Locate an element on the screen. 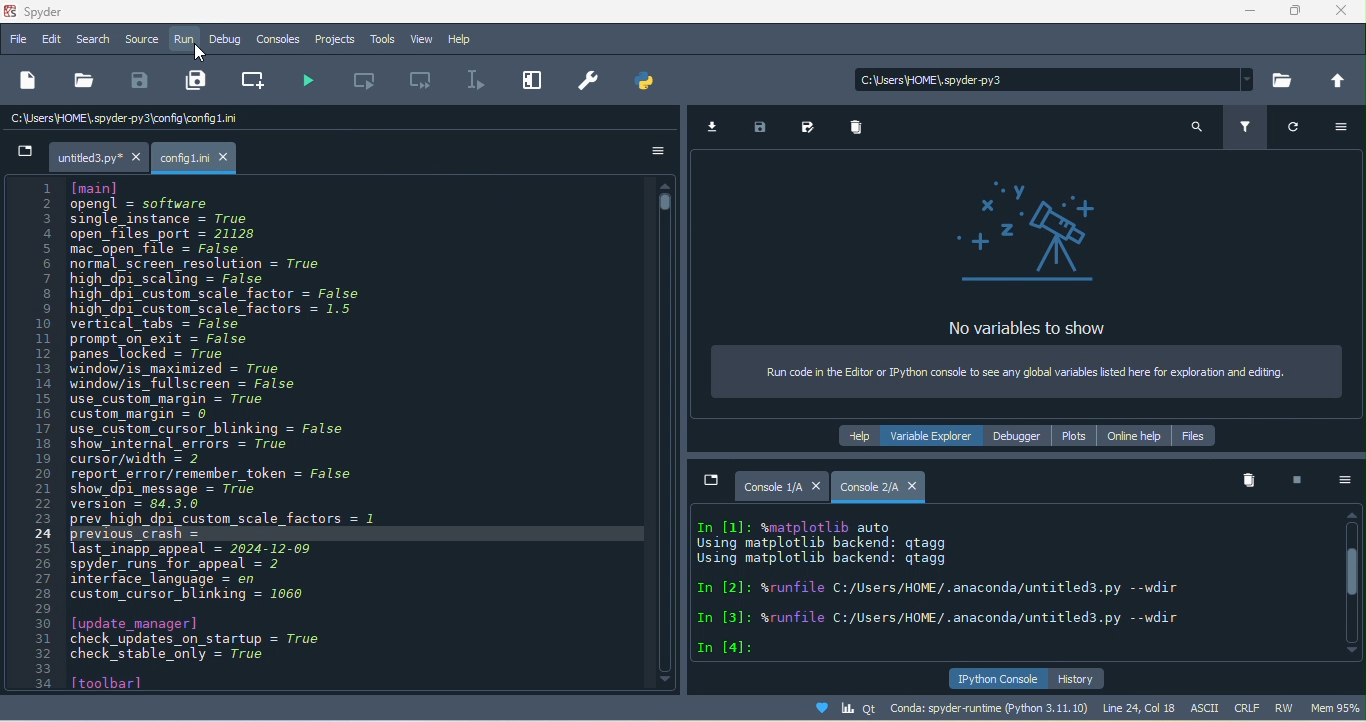  help is located at coordinates (860, 437).